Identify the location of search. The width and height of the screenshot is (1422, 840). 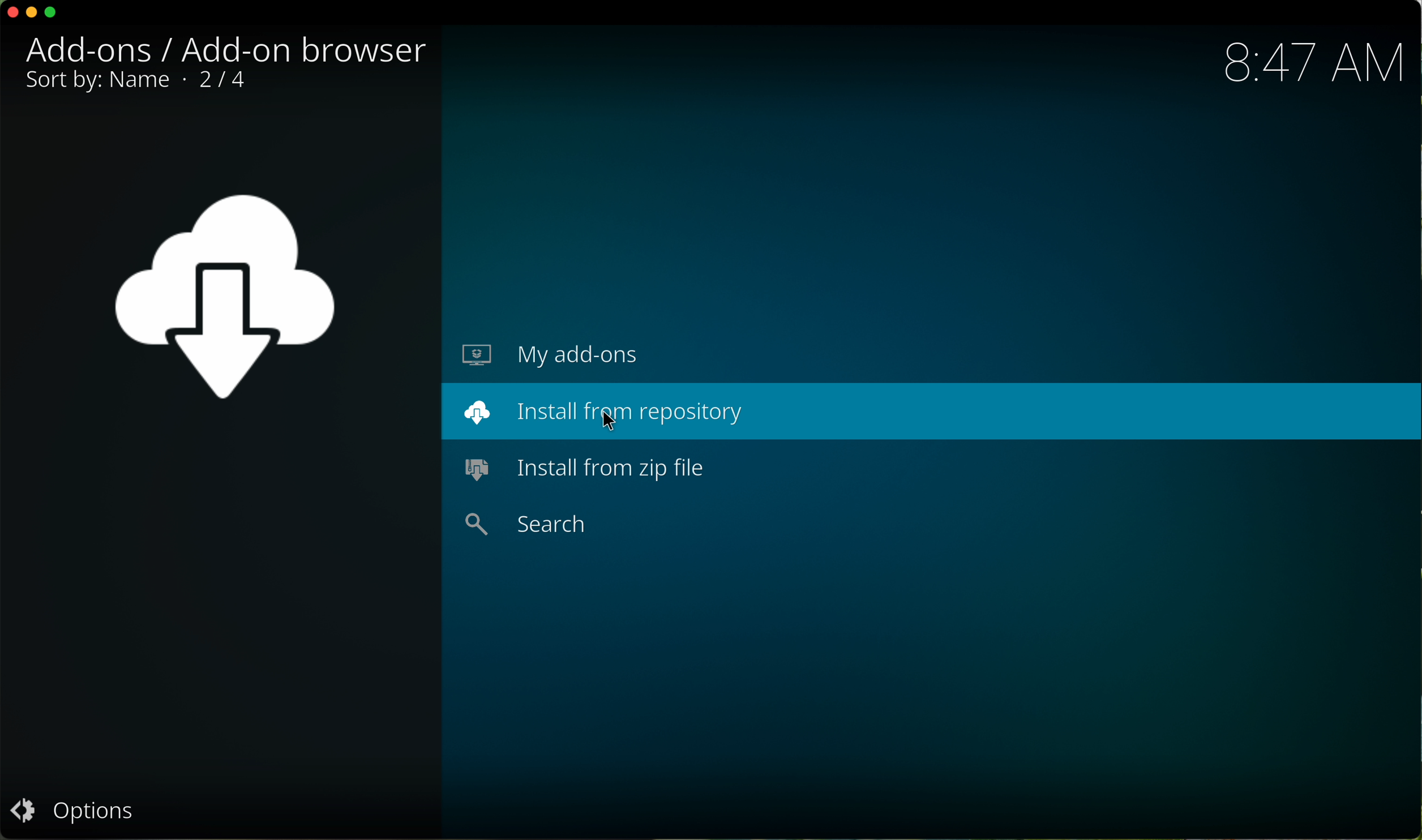
(520, 524).